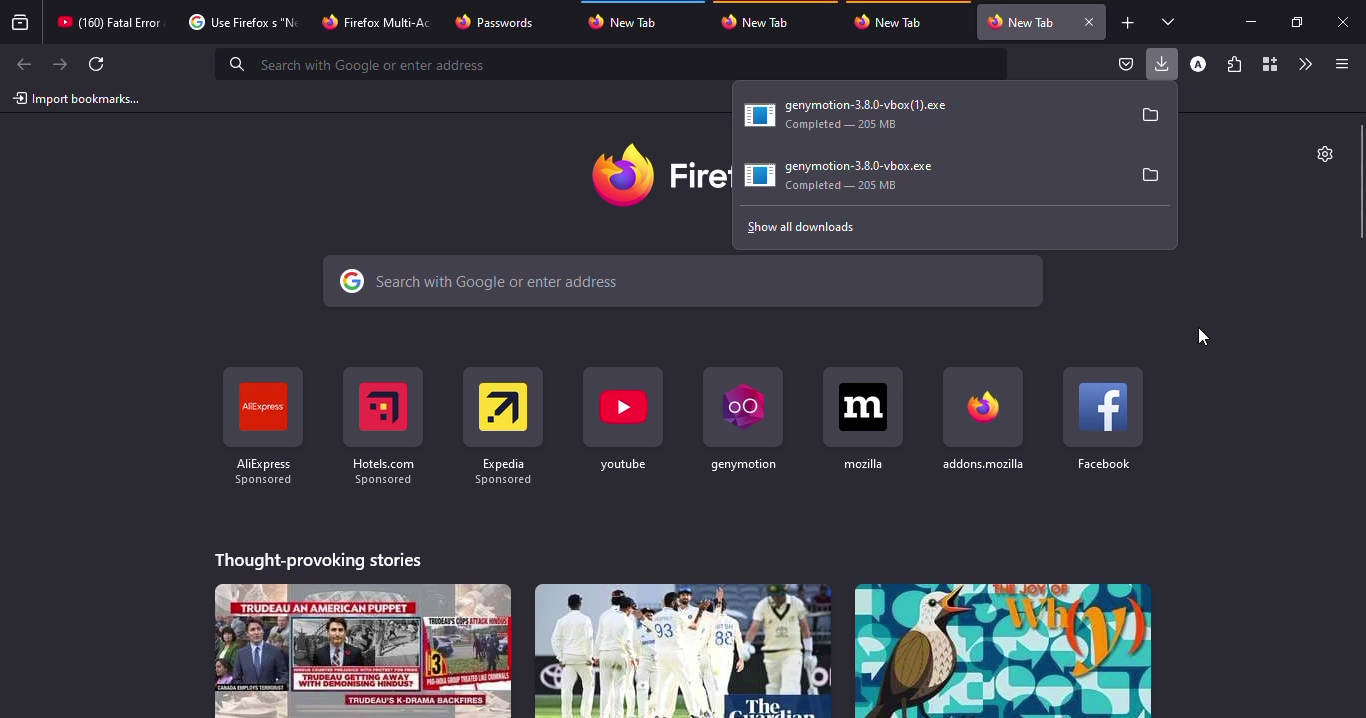  What do you see at coordinates (497, 22) in the screenshot?
I see `tab` at bounding box center [497, 22].